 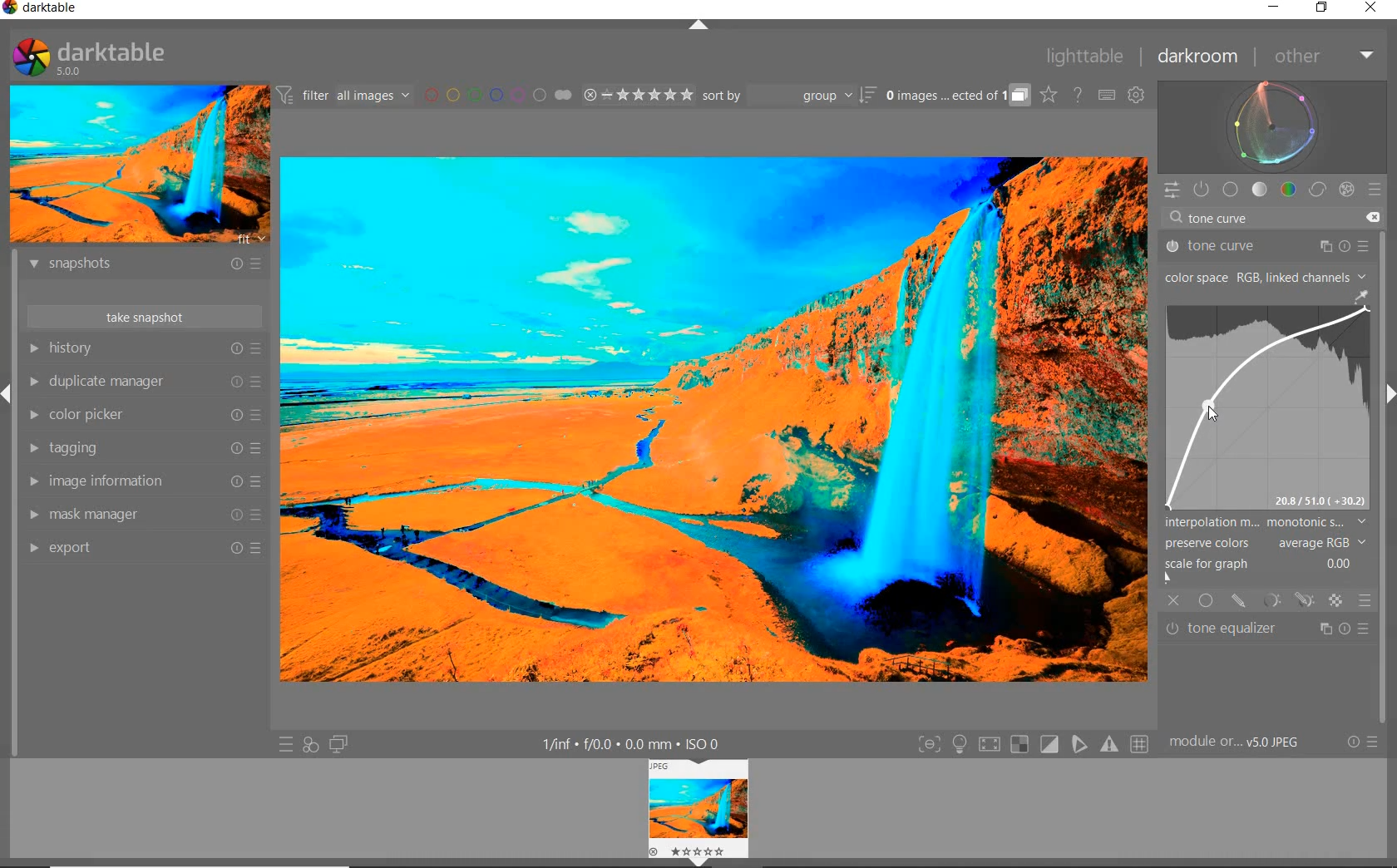 What do you see at coordinates (144, 448) in the screenshot?
I see `tagging` at bounding box center [144, 448].